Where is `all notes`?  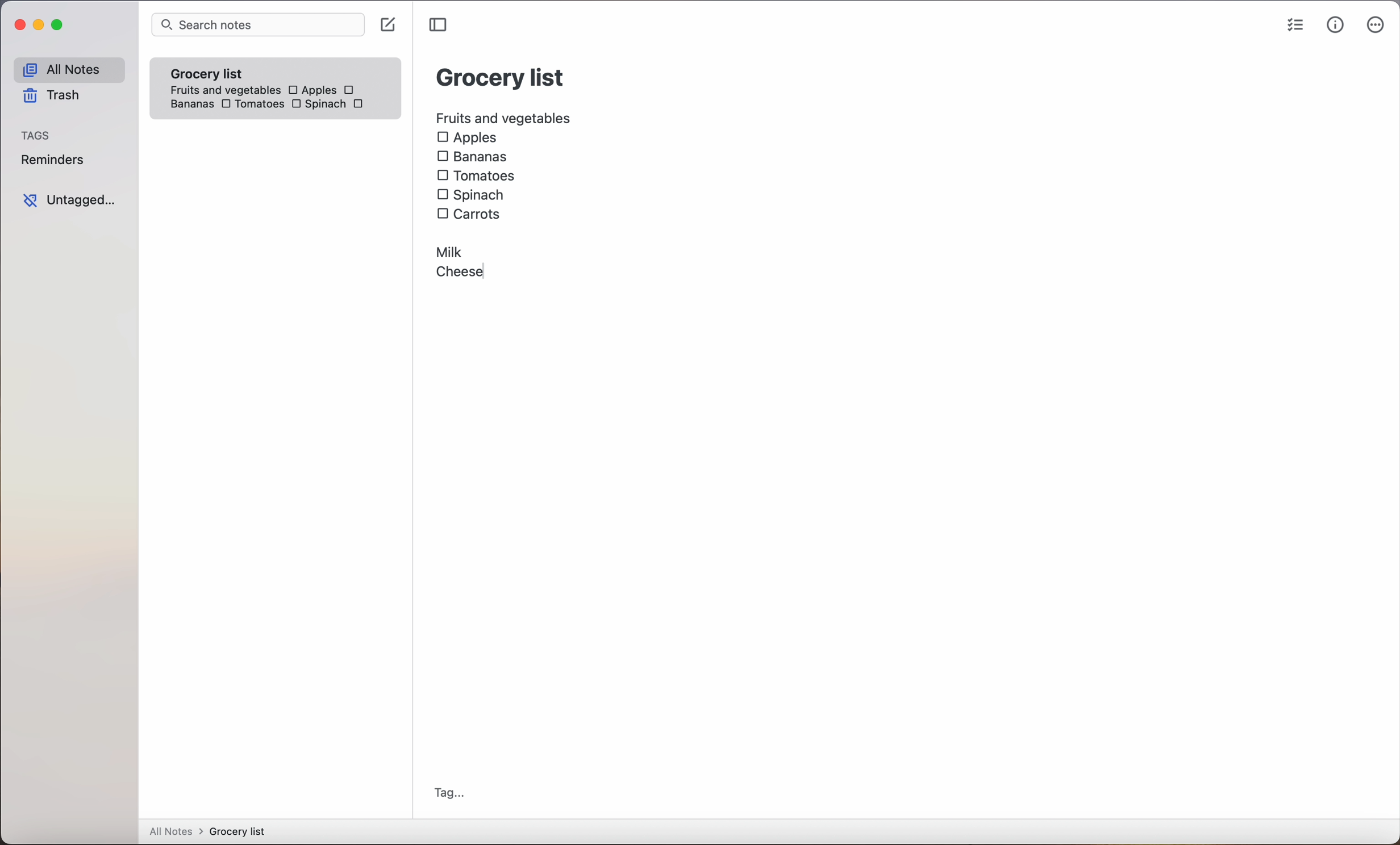 all notes is located at coordinates (68, 70).